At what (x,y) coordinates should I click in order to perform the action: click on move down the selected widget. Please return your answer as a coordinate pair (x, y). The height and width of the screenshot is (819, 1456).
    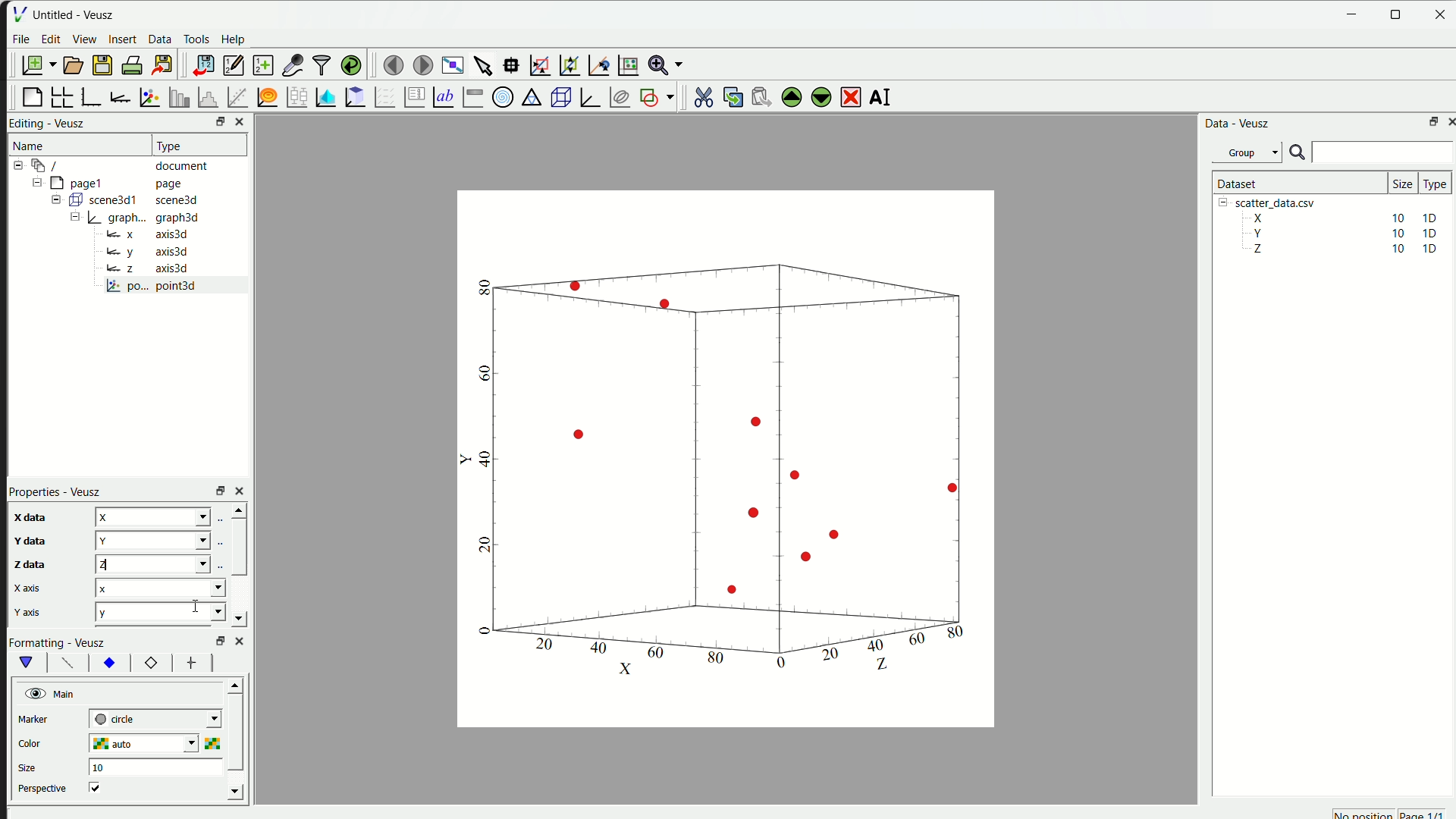
    Looking at the image, I should click on (820, 99).